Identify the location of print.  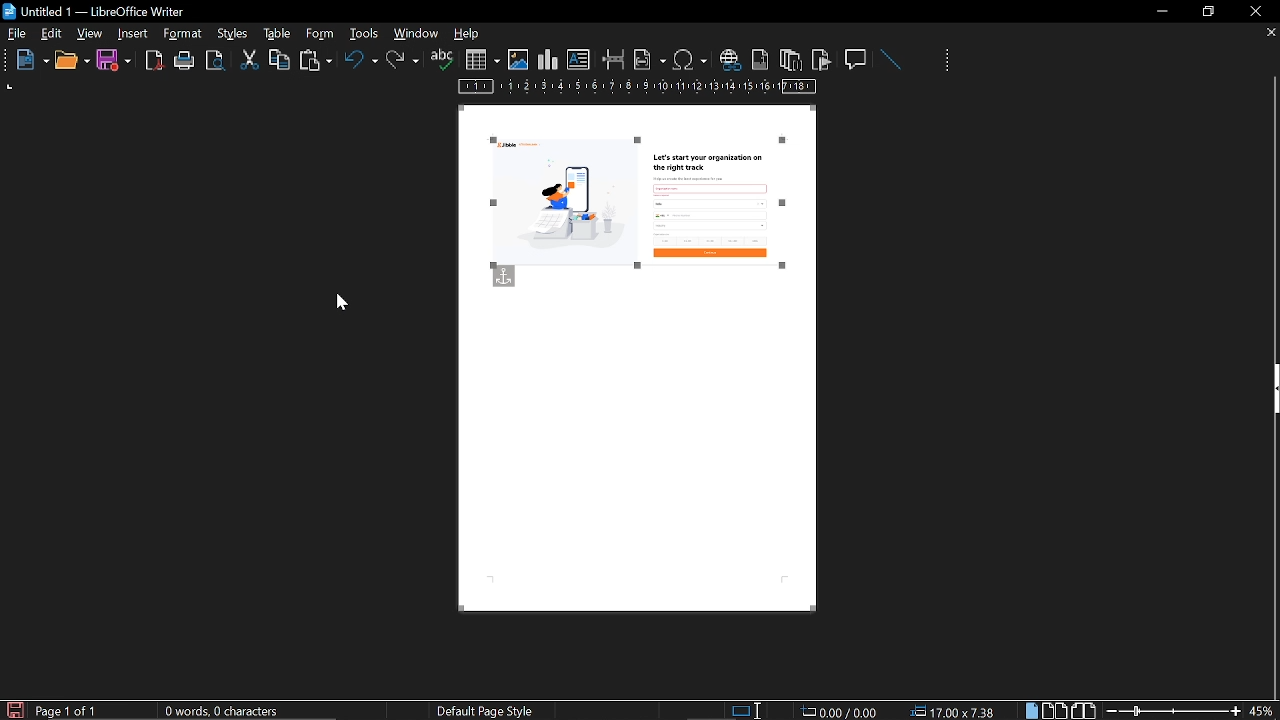
(185, 61).